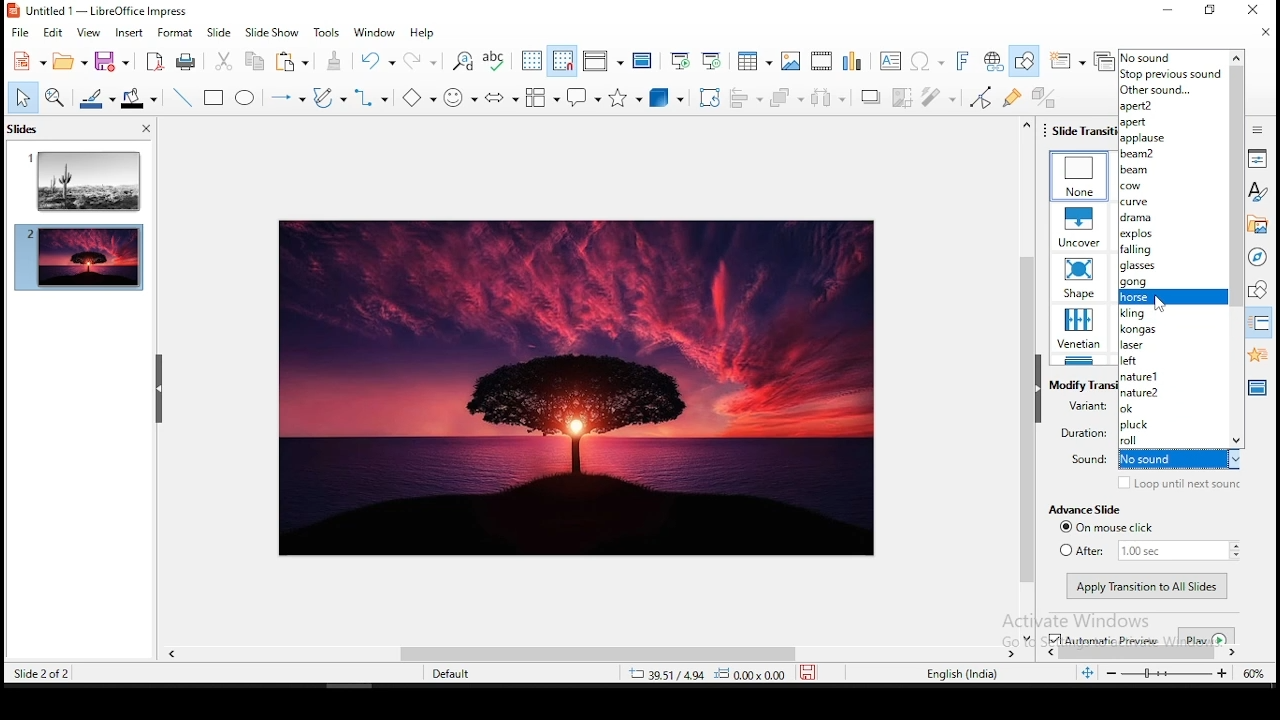 This screenshot has width=1280, height=720. I want to click on zoom and pan, so click(55, 97).